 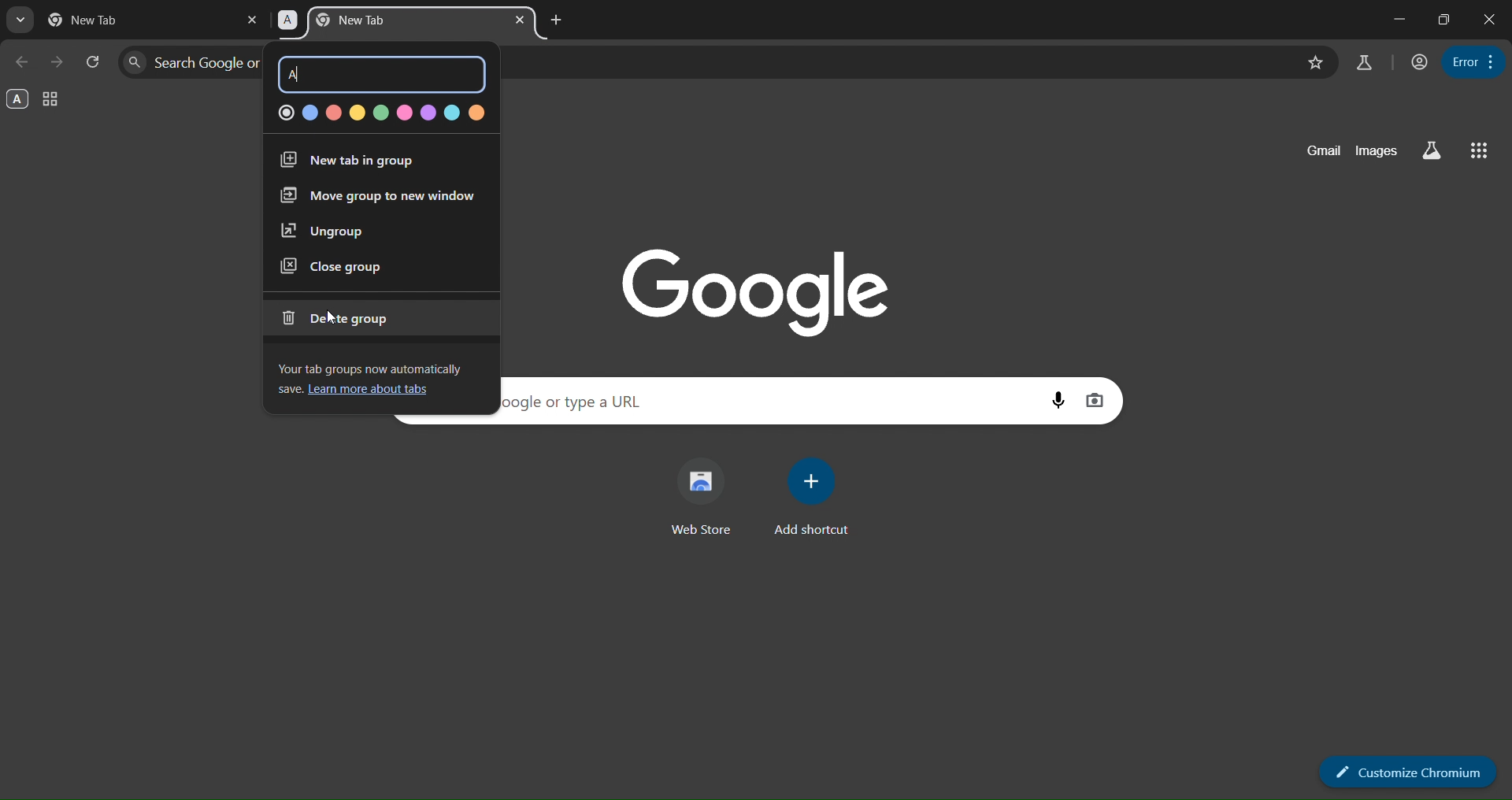 I want to click on gmail, so click(x=1317, y=152).